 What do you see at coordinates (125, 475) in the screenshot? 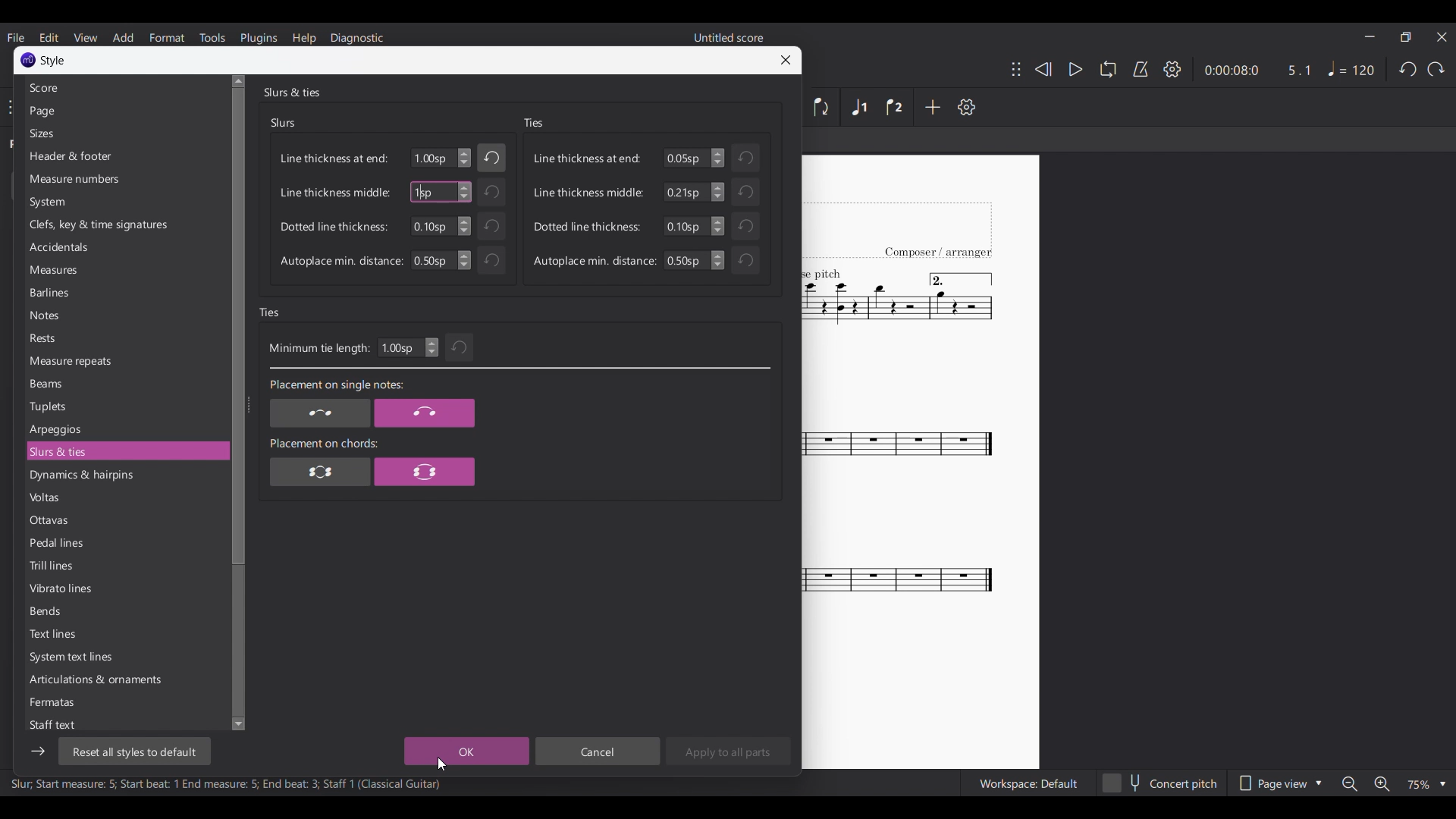
I see `Dynamics & hairpins` at bounding box center [125, 475].